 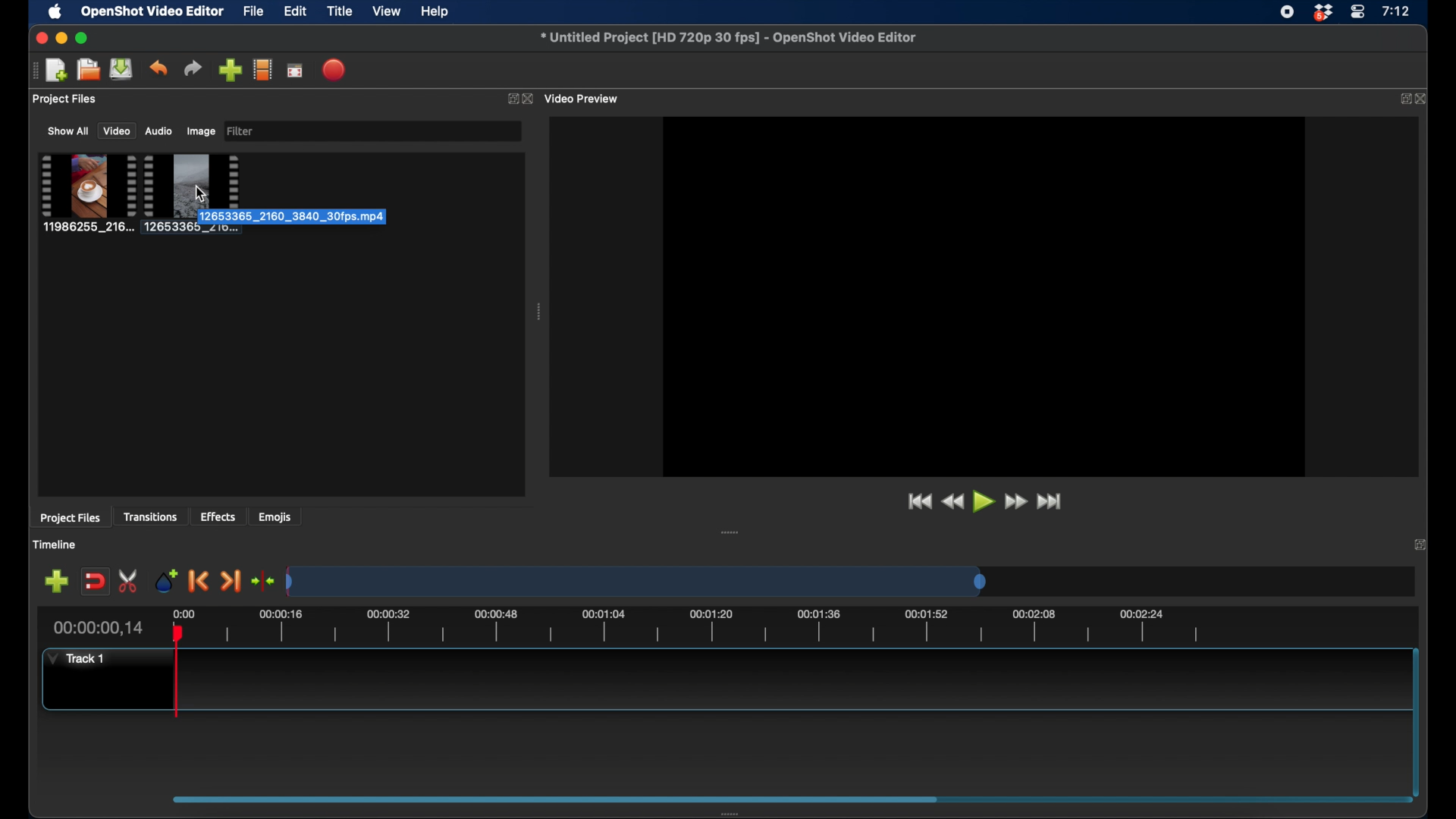 I want to click on title, so click(x=340, y=11).